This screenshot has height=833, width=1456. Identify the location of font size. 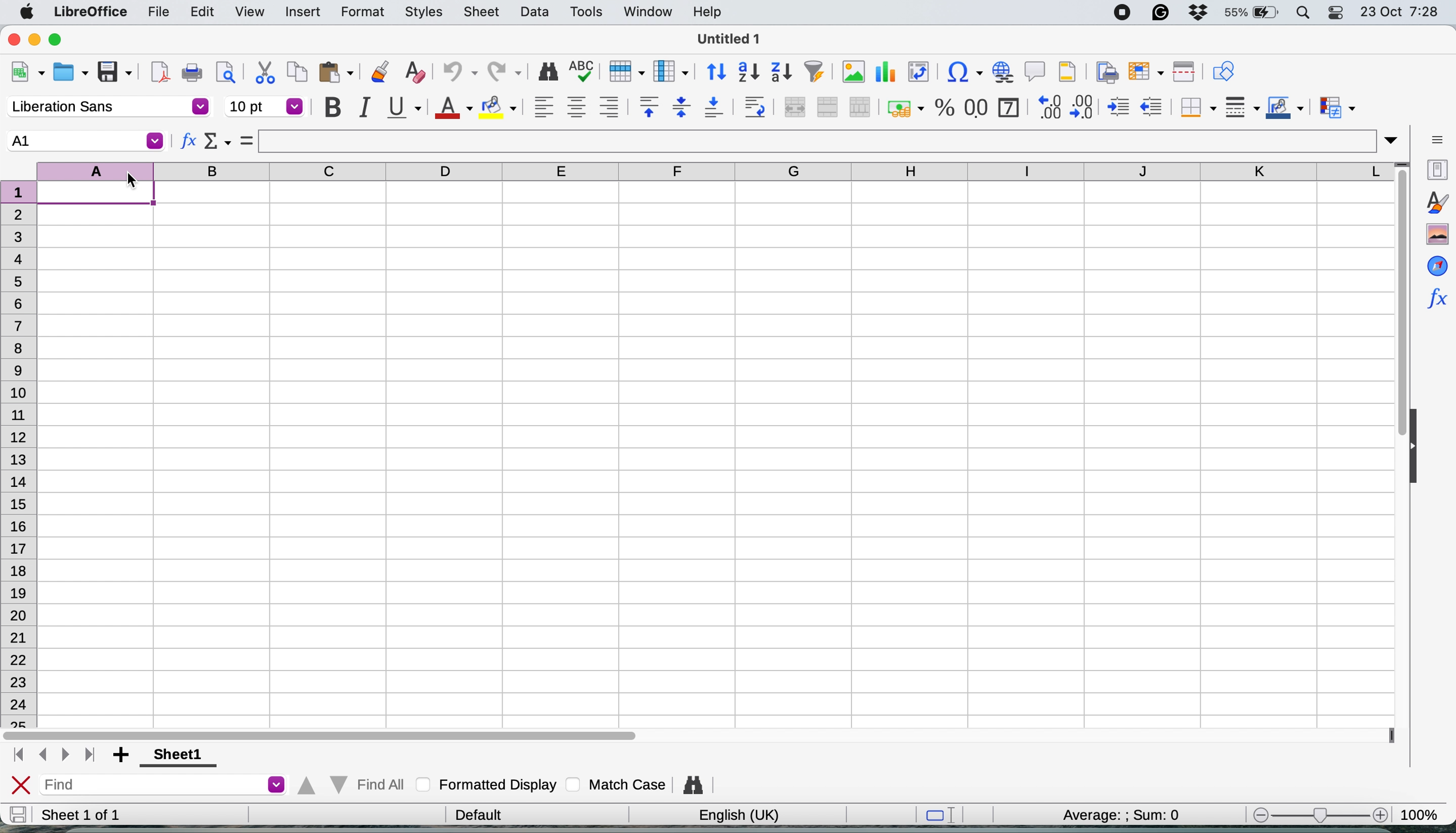
(265, 106).